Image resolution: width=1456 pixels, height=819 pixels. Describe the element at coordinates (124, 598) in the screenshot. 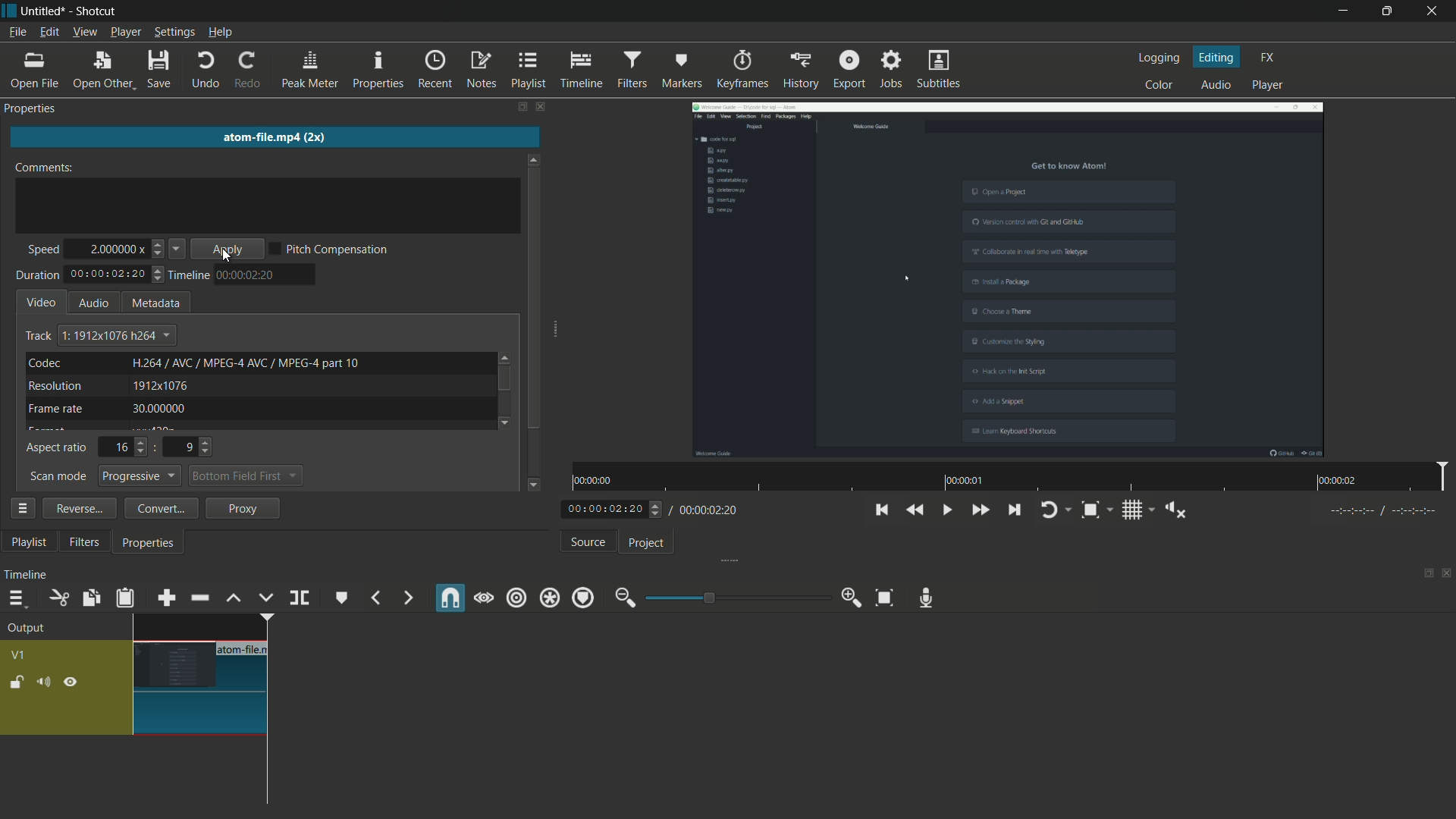

I see `paste` at that location.